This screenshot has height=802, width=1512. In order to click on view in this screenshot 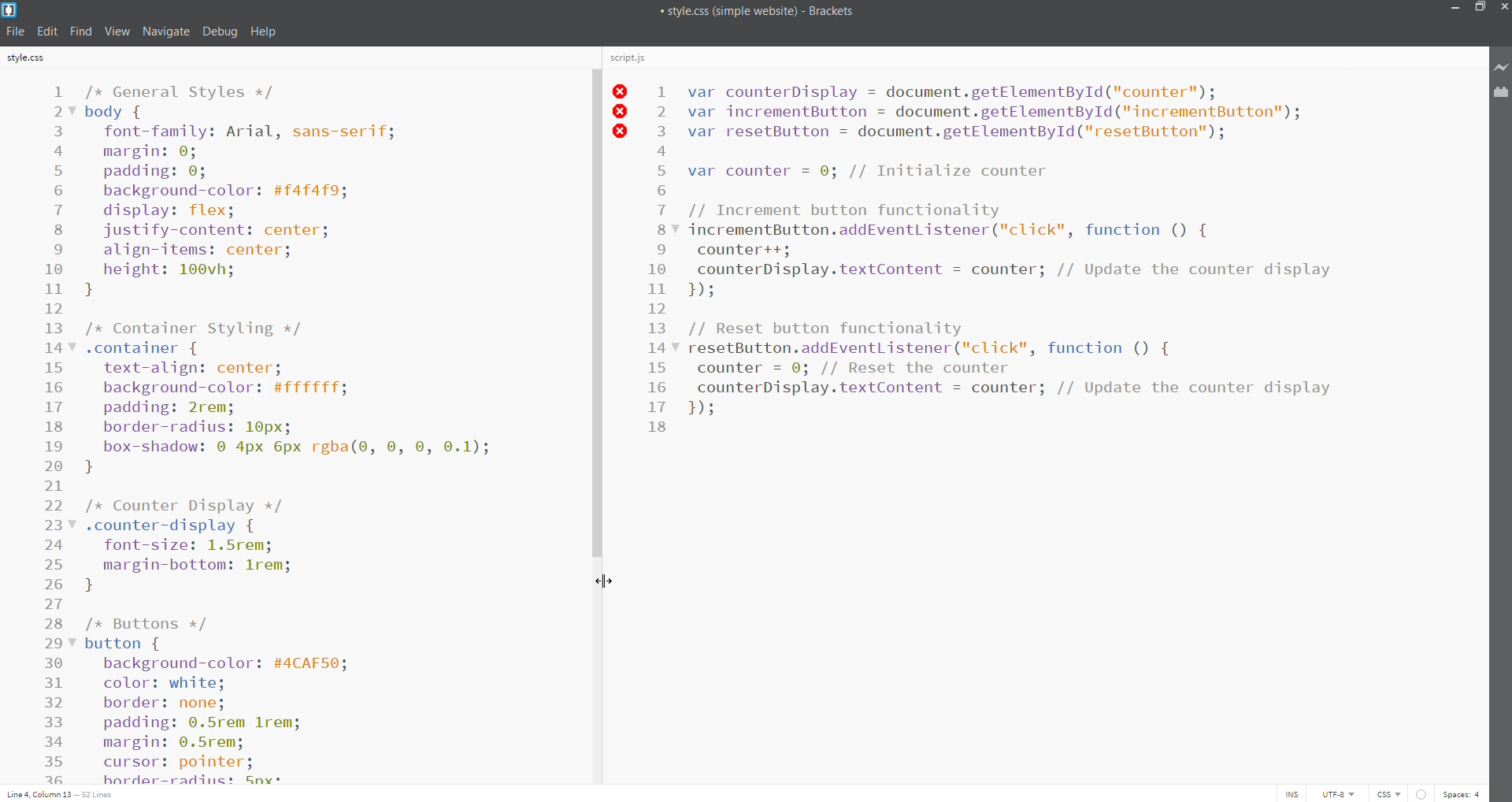, I will do `click(117, 32)`.